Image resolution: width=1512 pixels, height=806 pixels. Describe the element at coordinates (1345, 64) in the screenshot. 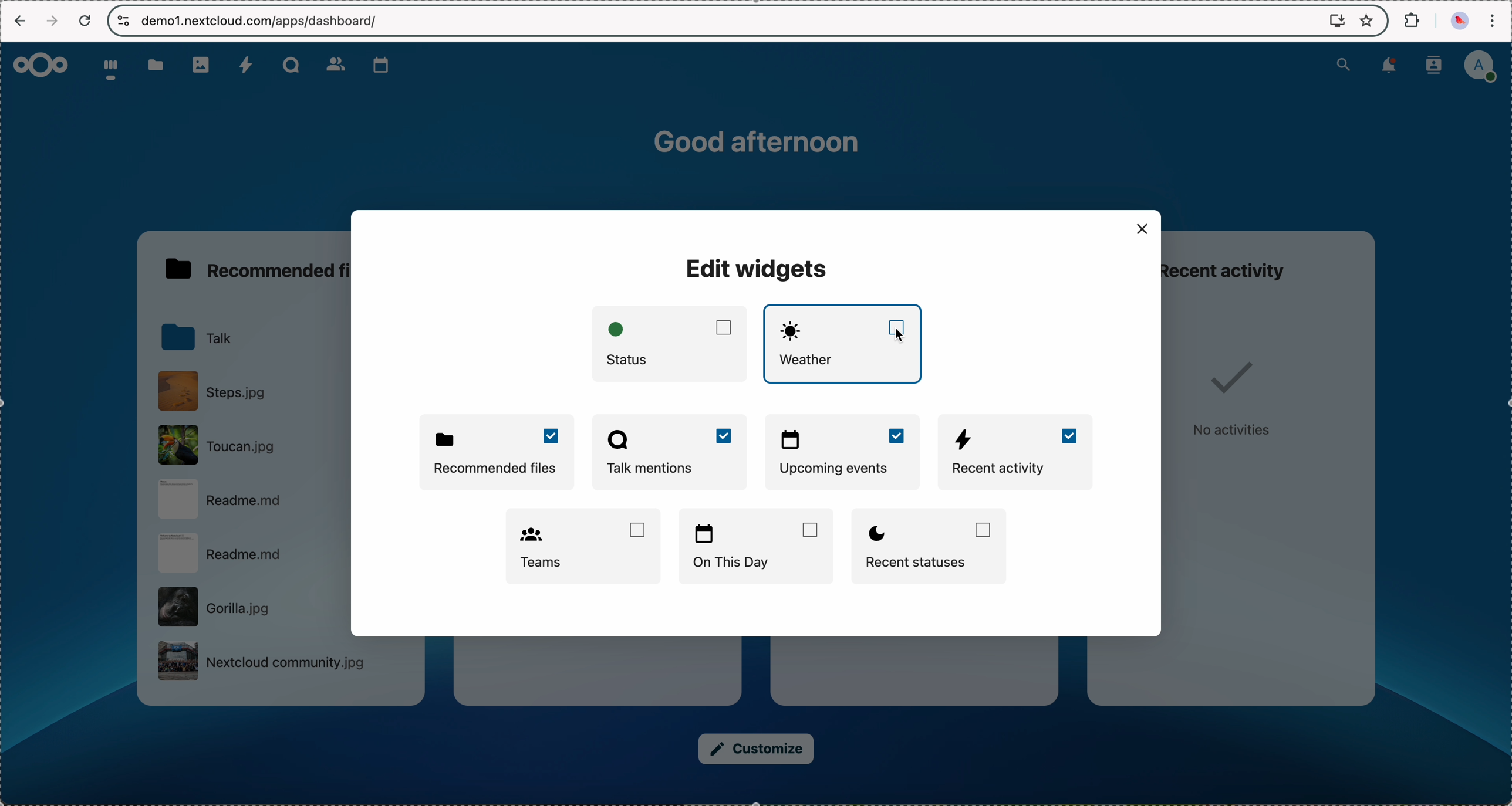

I see `search` at that location.